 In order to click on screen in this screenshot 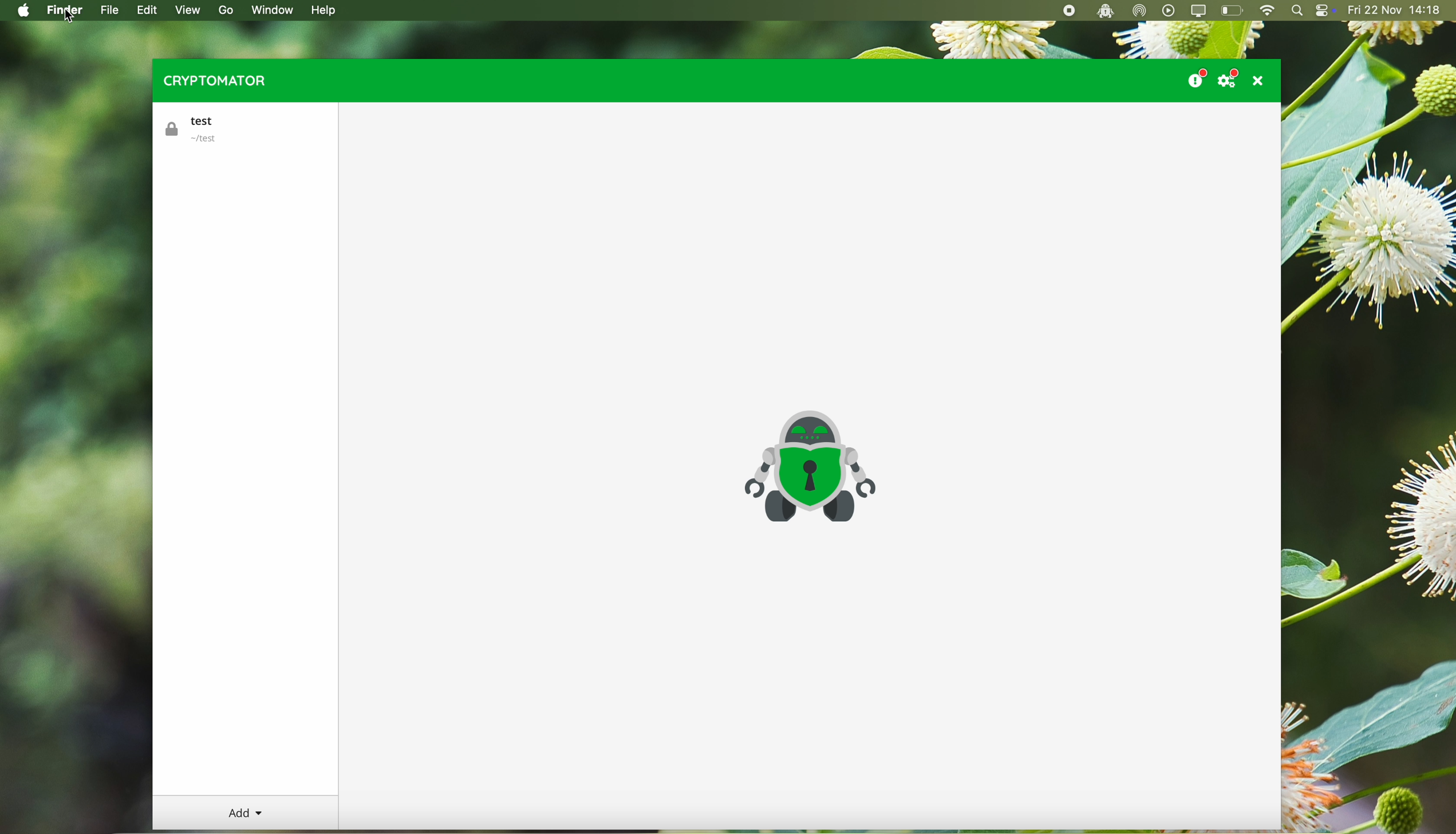, I will do `click(1200, 11)`.